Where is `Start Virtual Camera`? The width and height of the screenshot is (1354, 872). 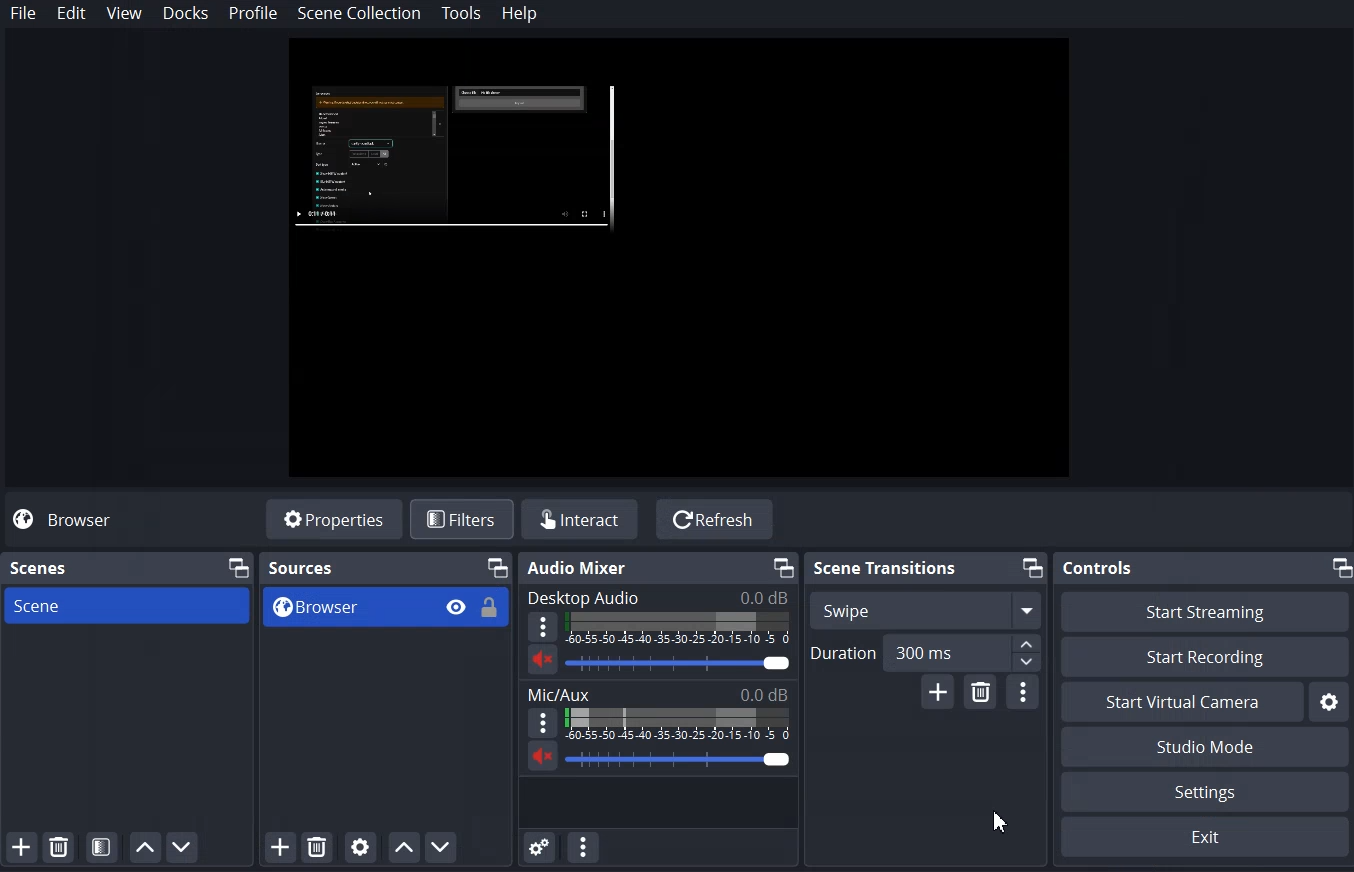 Start Virtual Camera is located at coordinates (1181, 701).